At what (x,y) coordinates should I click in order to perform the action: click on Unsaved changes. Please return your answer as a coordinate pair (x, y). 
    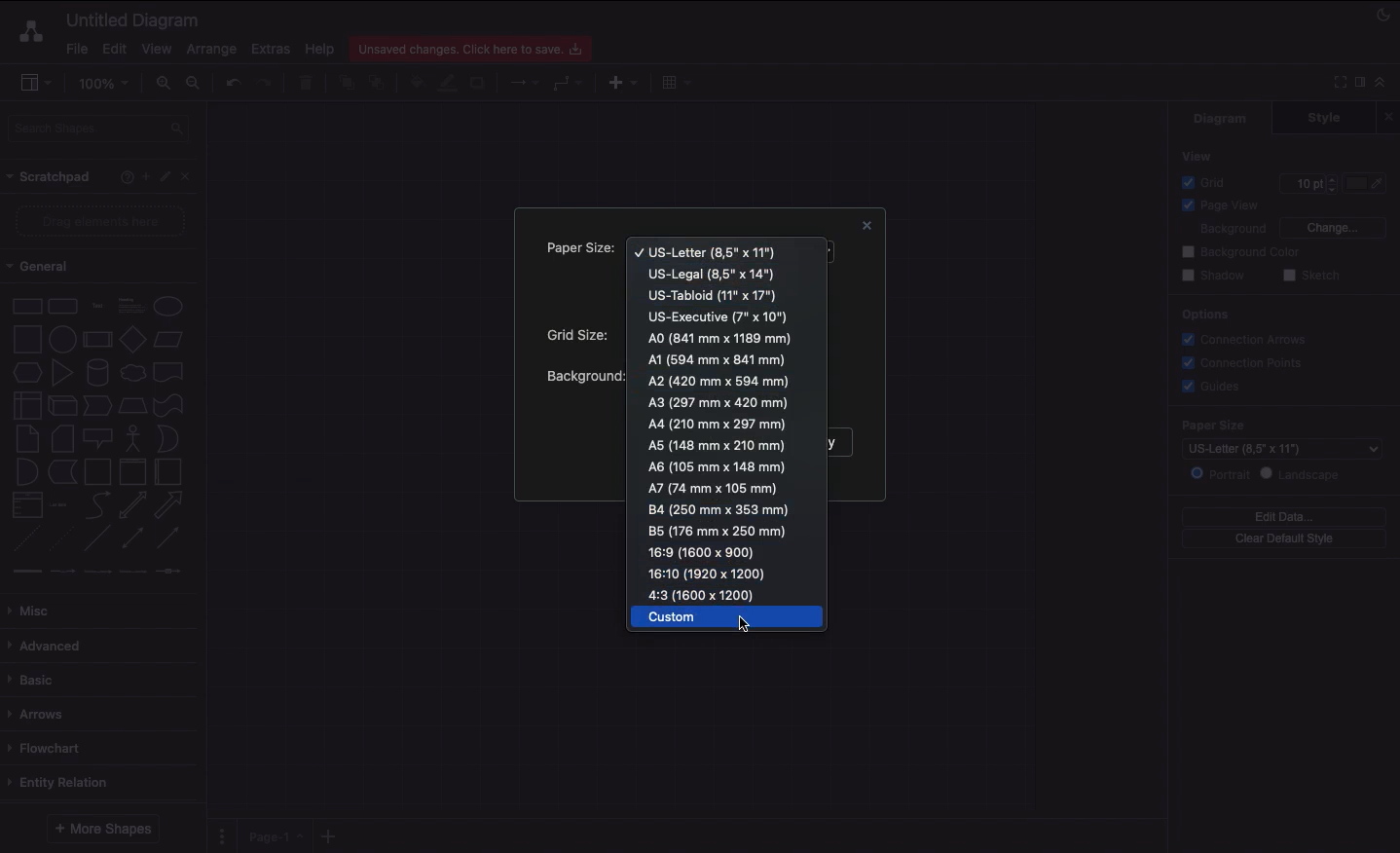
    Looking at the image, I should click on (473, 46).